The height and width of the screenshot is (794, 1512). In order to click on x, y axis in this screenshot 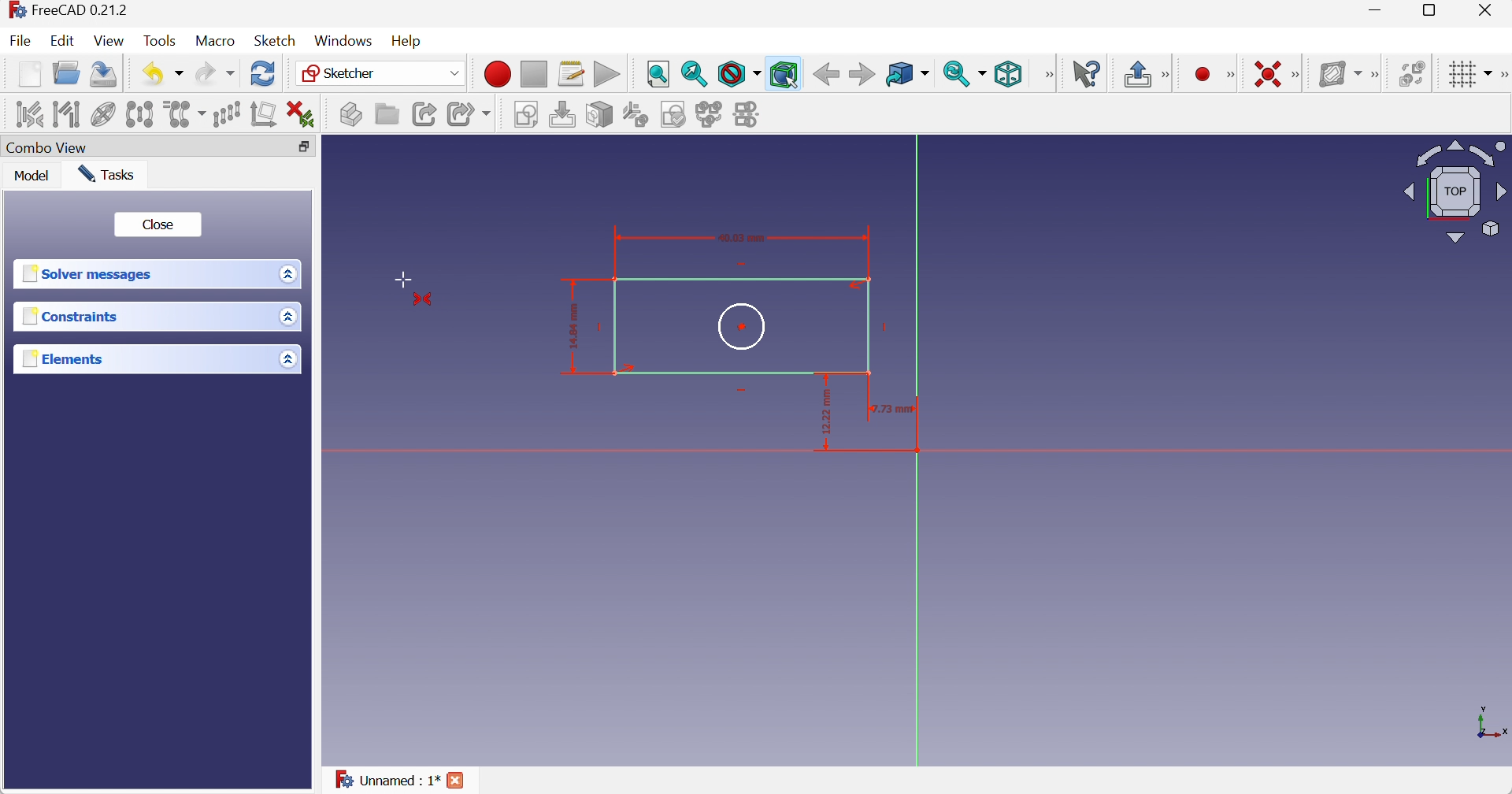, I will do `click(1489, 721)`.